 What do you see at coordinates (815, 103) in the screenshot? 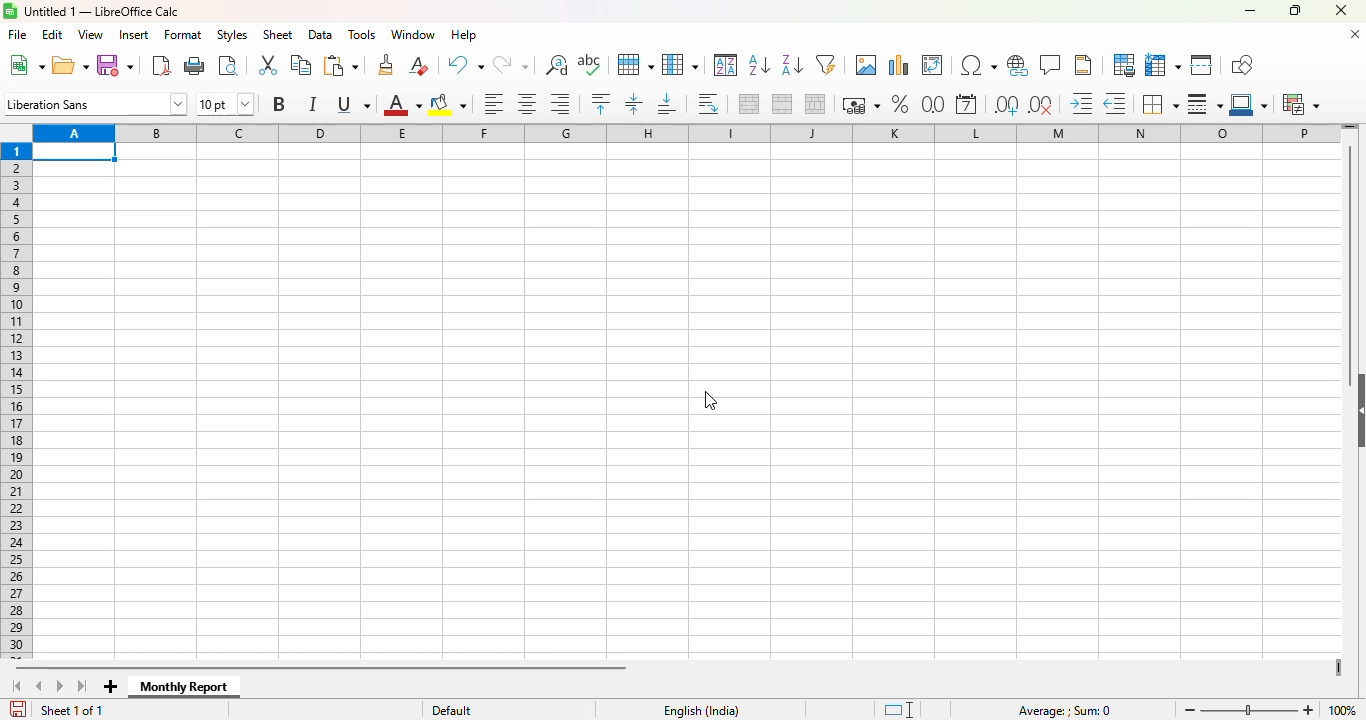
I see `unmerge cells` at bounding box center [815, 103].